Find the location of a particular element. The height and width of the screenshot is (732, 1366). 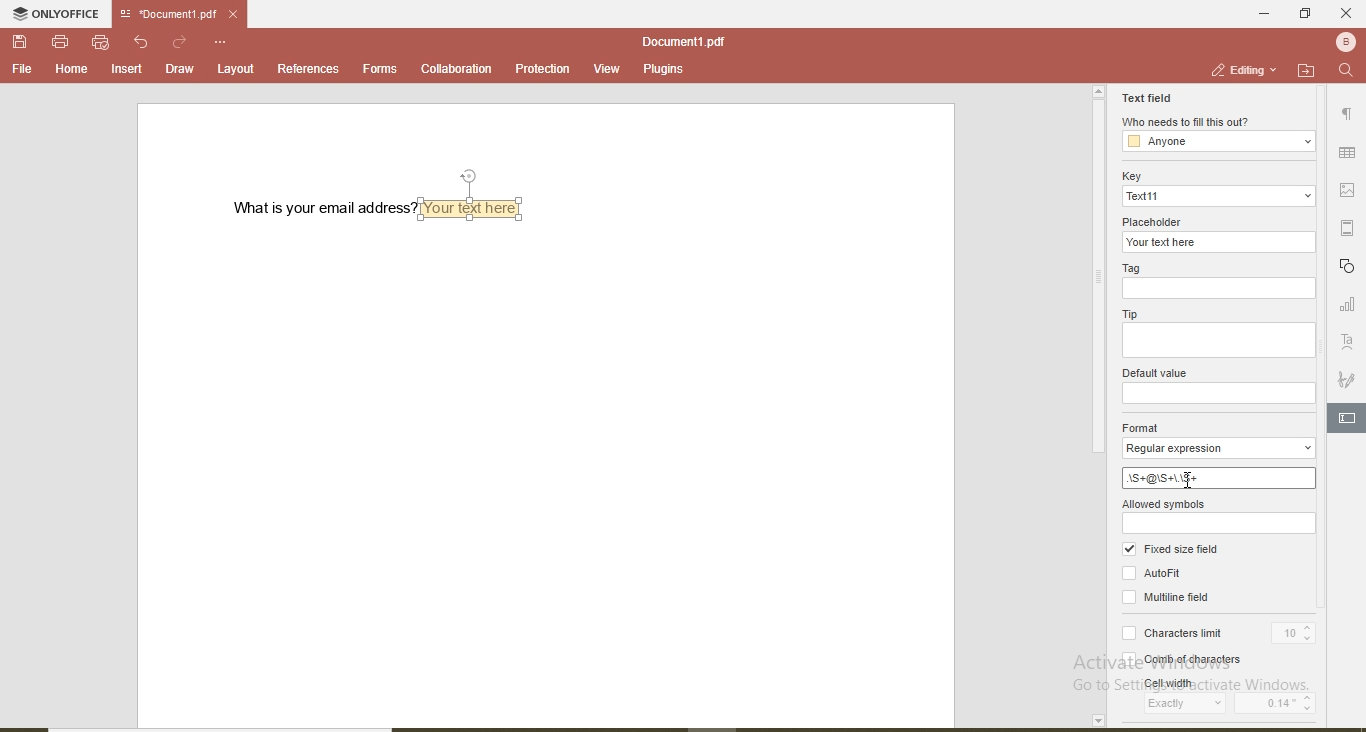

page down is located at coordinates (1097, 721).